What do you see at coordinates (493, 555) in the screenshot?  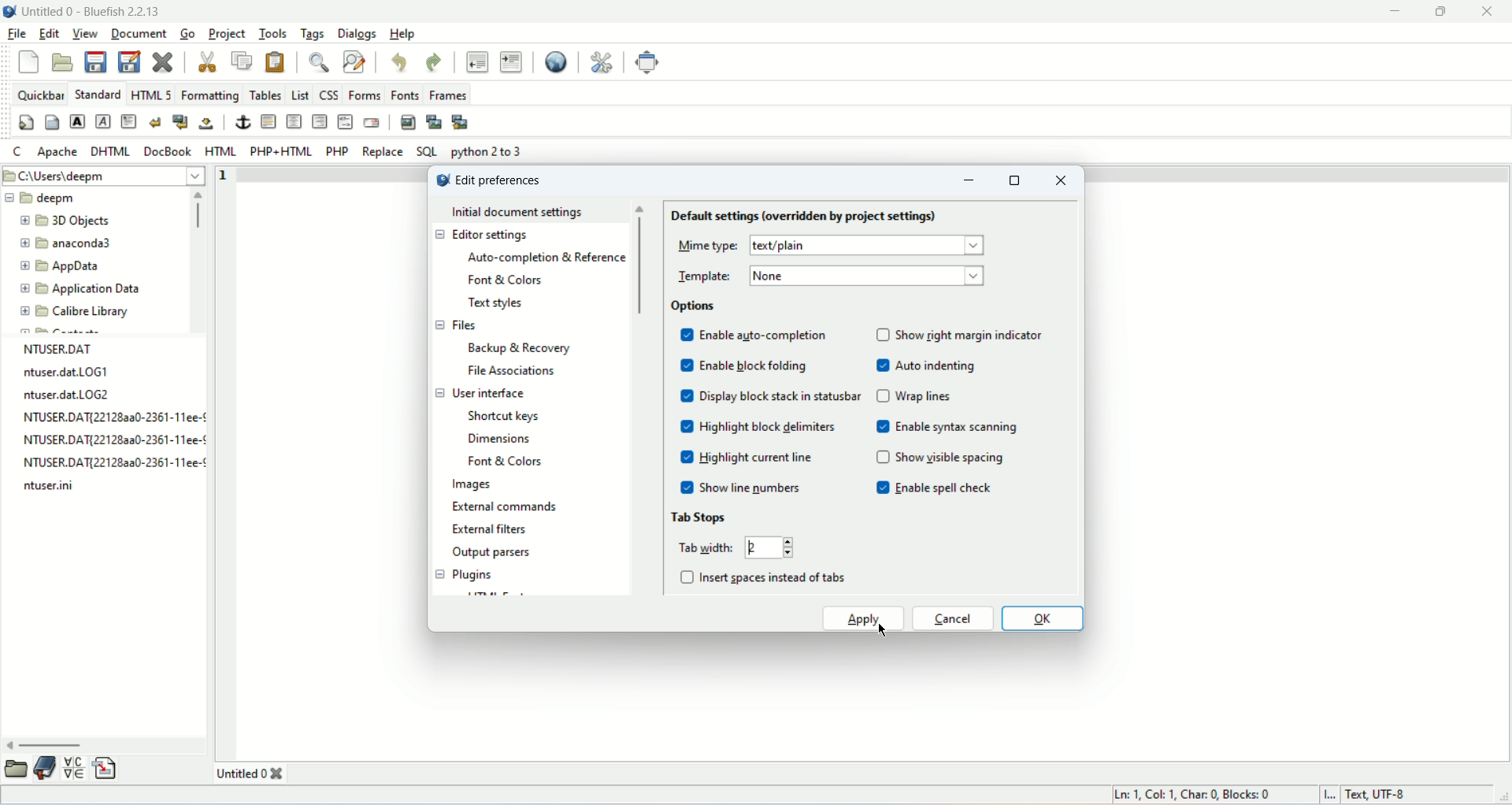 I see `output` at bounding box center [493, 555].